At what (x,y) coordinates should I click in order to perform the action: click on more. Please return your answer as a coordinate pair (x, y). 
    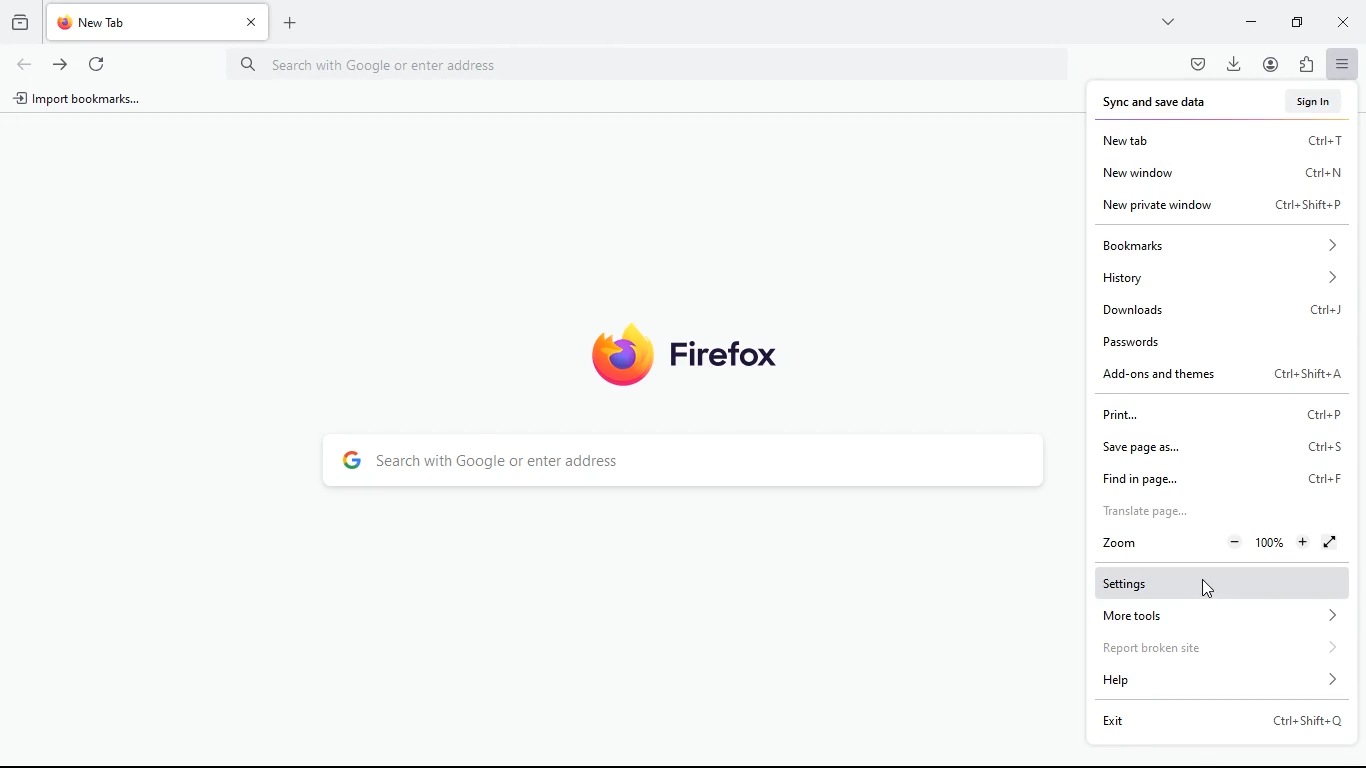
    Looking at the image, I should click on (1169, 21).